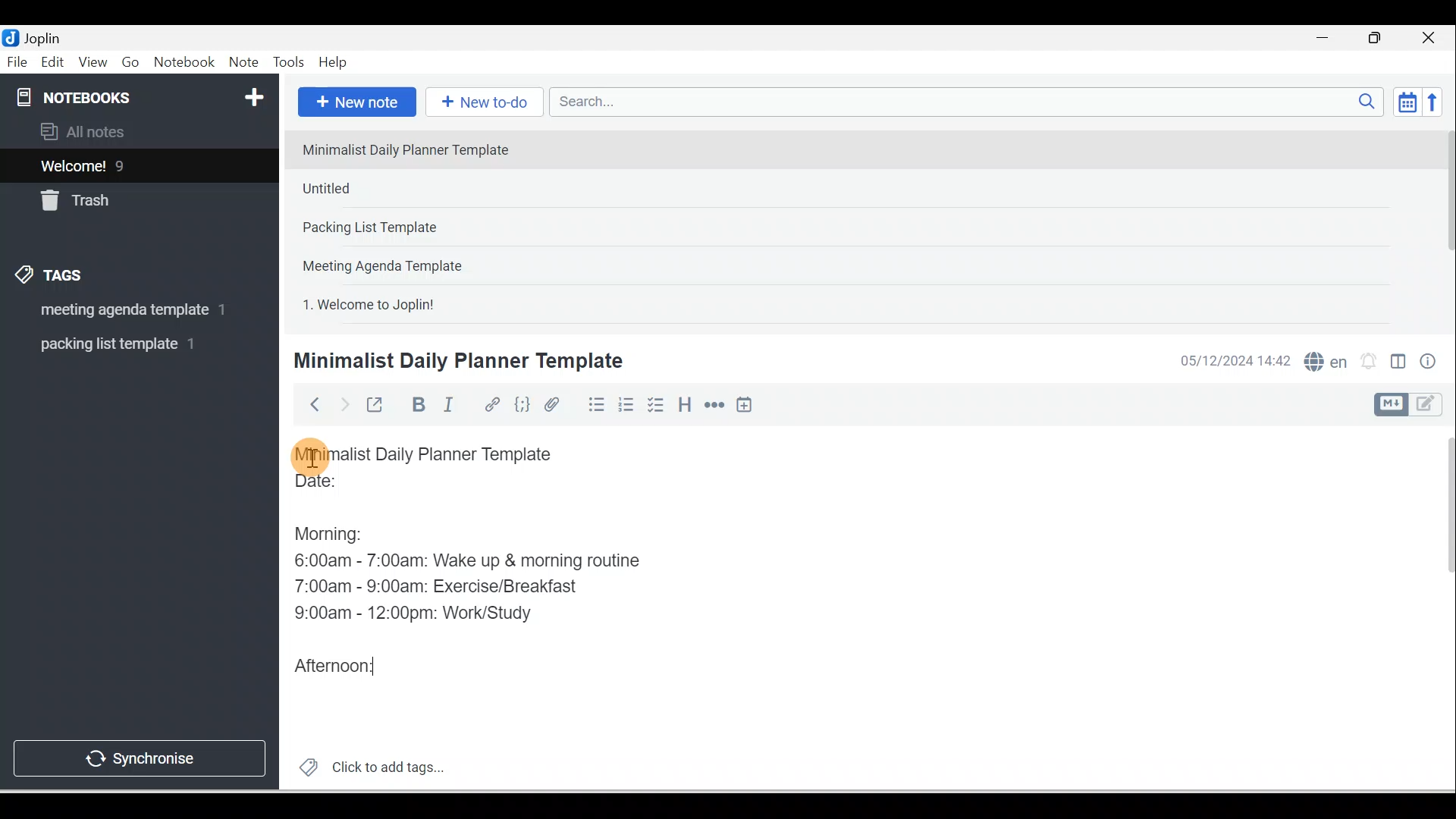 This screenshot has width=1456, height=819. Describe the element at coordinates (128, 162) in the screenshot. I see `Notes` at that location.